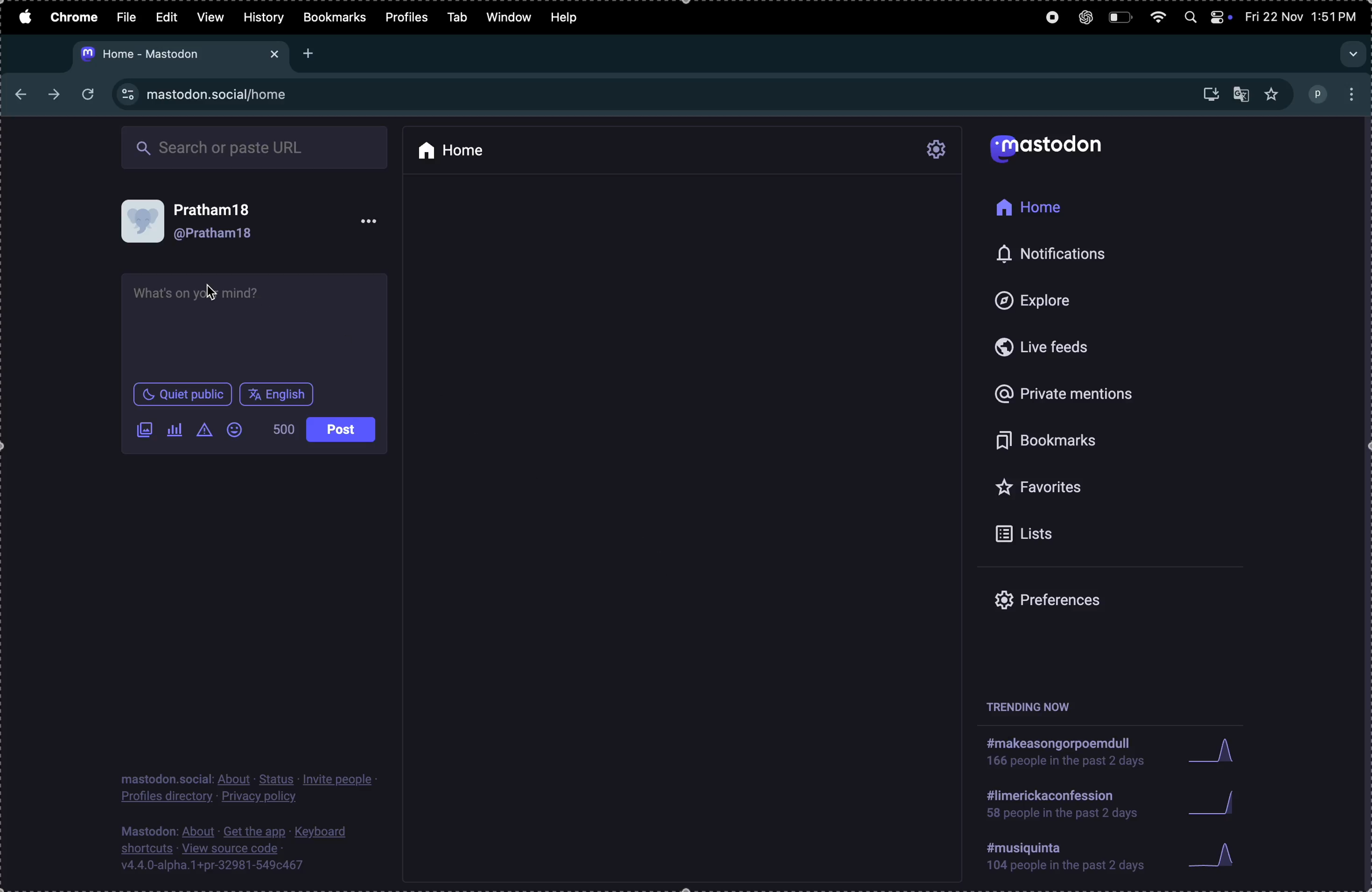 The height and width of the screenshot is (892, 1372). Describe the element at coordinates (1206, 92) in the screenshot. I see `downloads` at that location.